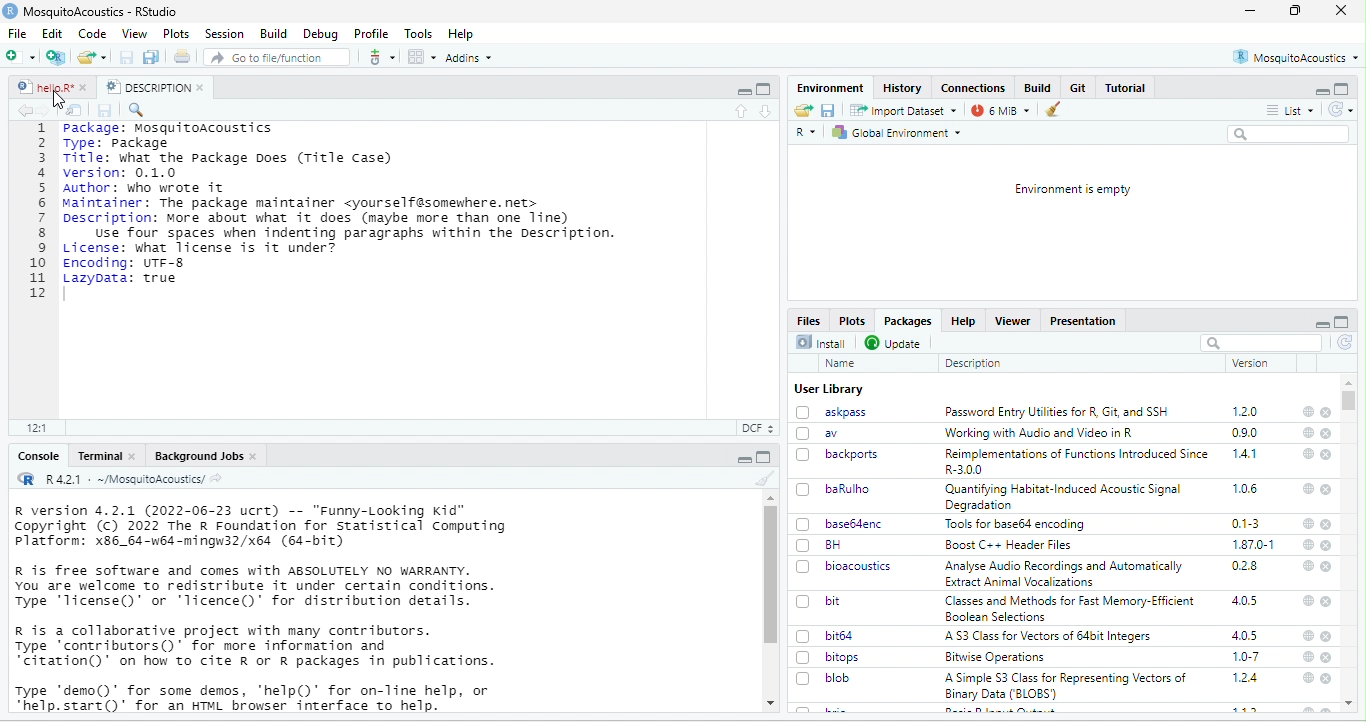 The height and width of the screenshot is (722, 1366). Describe the element at coordinates (1294, 10) in the screenshot. I see `full screen` at that location.